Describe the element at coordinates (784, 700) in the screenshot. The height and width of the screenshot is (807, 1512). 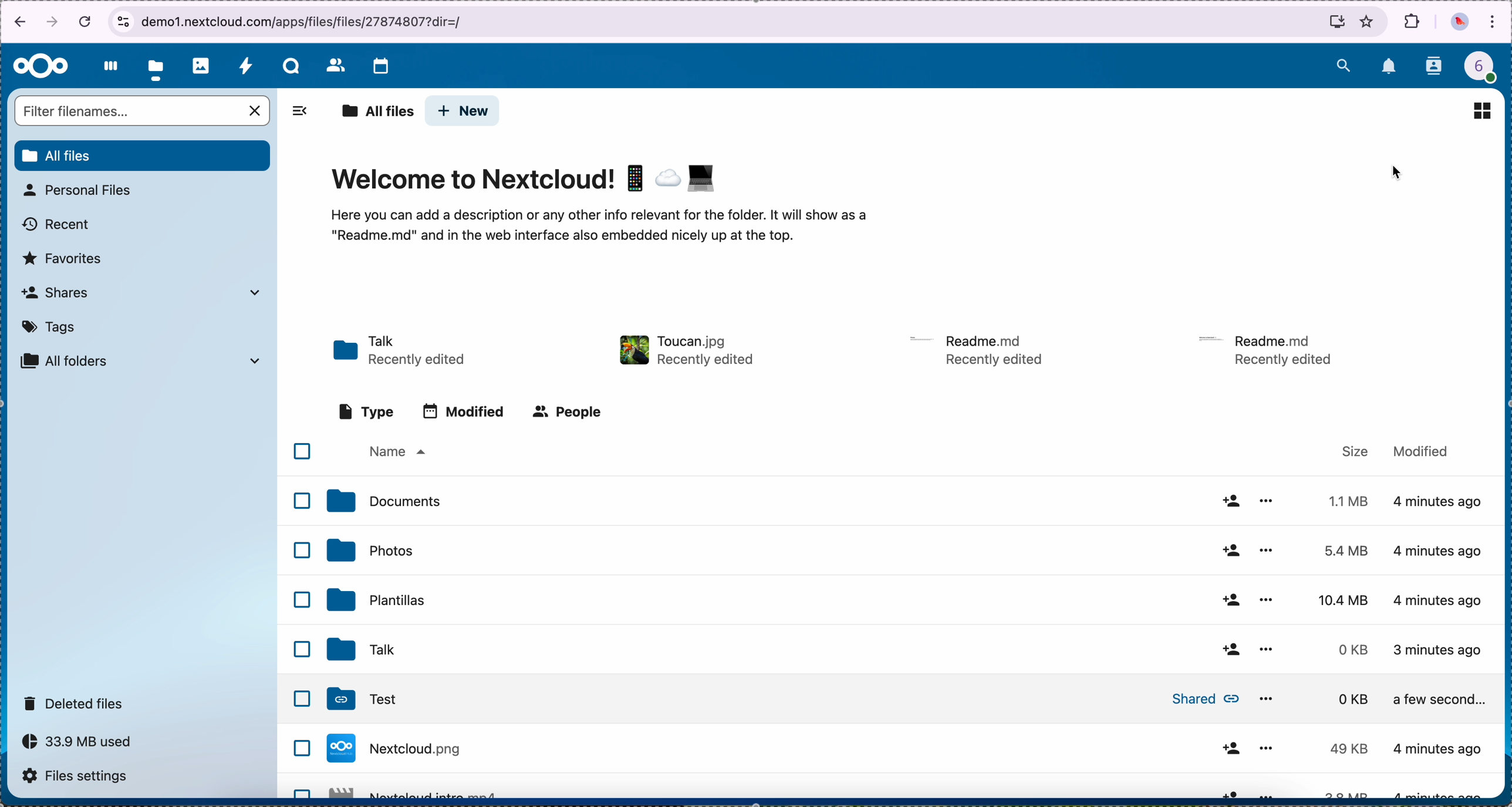
I see `folder shared` at that location.